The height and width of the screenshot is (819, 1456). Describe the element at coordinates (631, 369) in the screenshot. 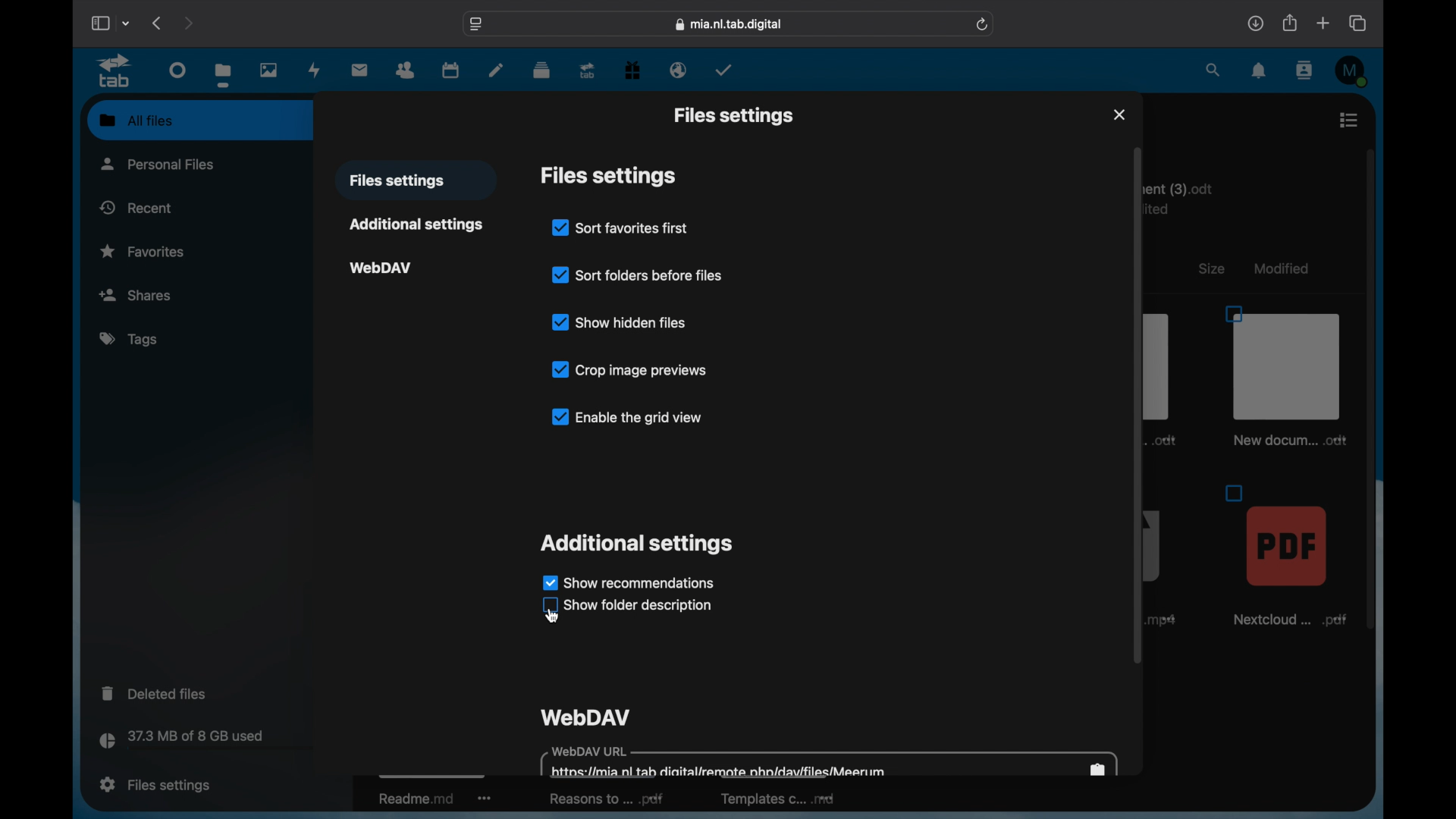

I see `crop image previews` at that location.